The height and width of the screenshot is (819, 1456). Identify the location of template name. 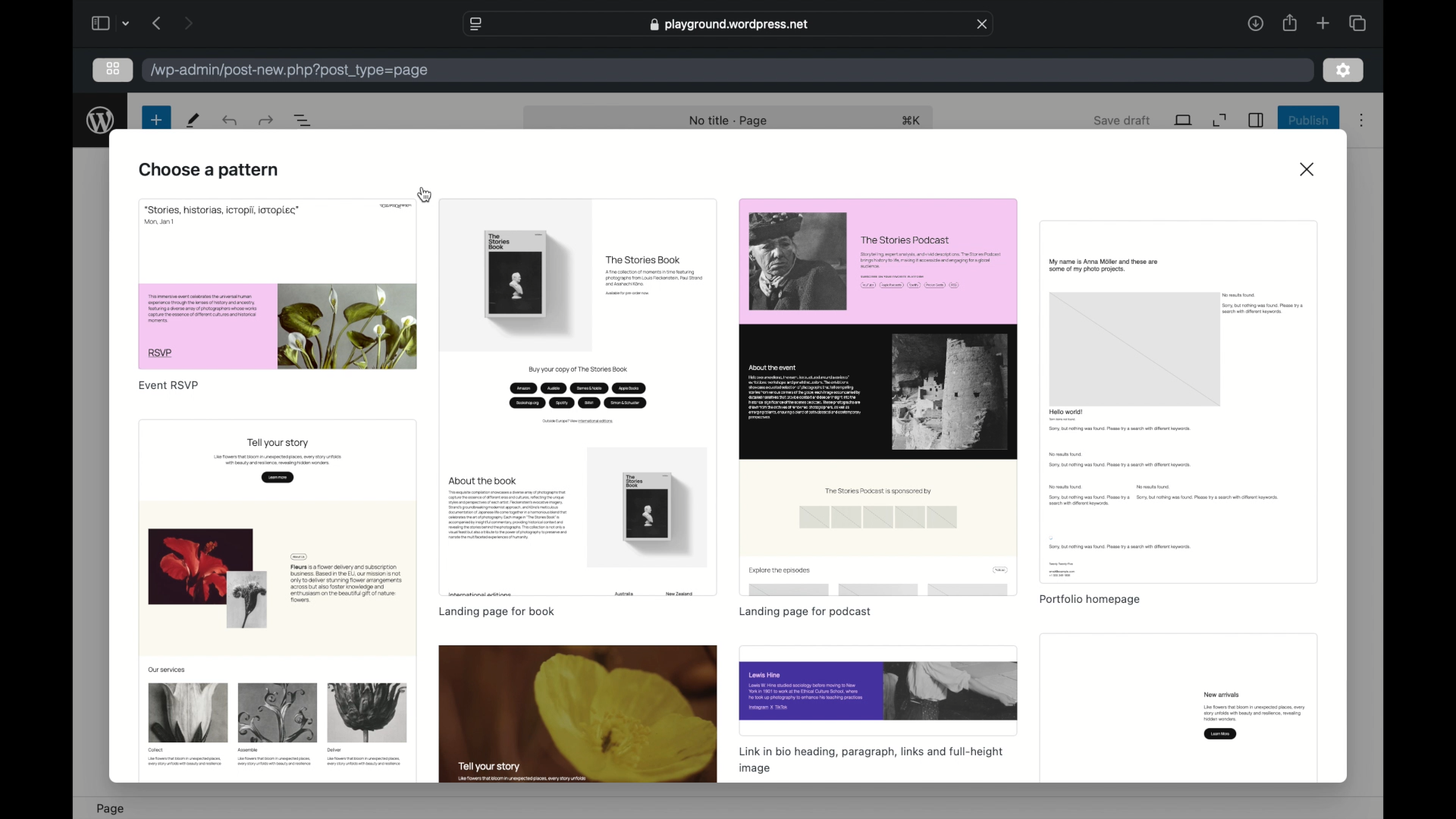
(805, 613).